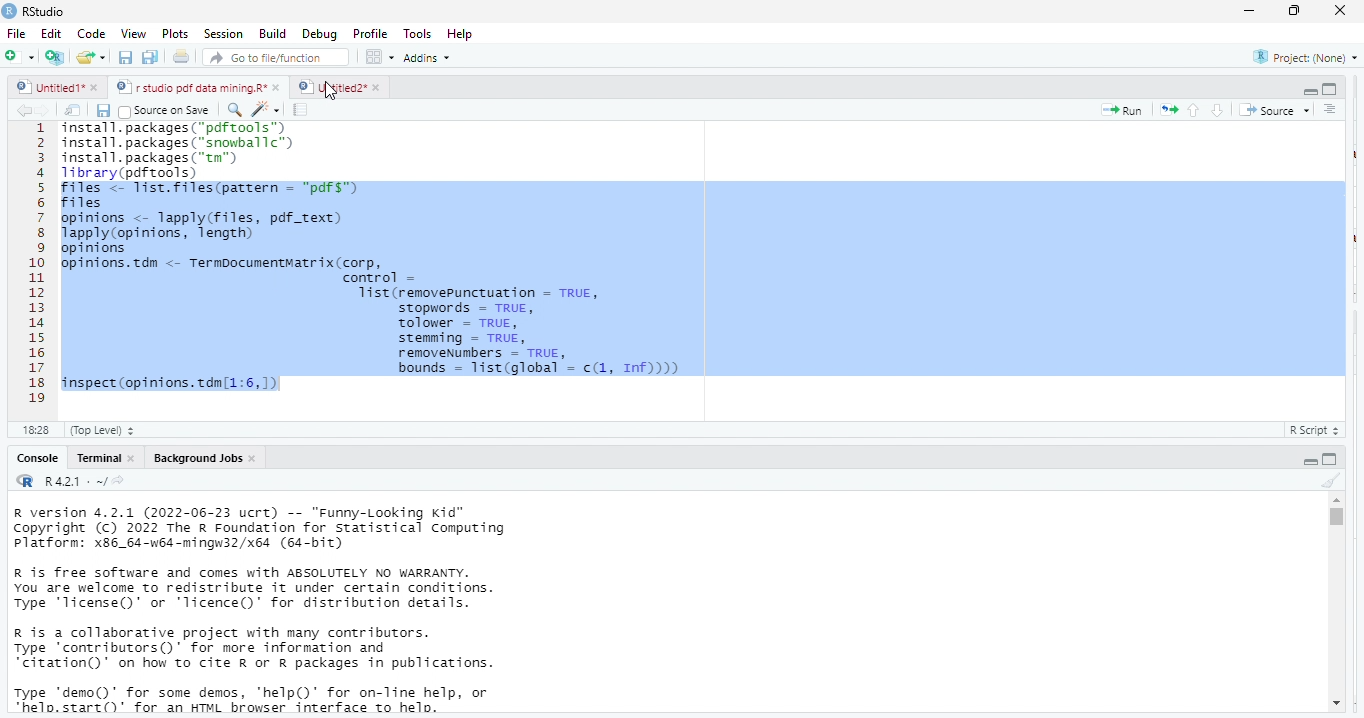  Describe the element at coordinates (1342, 11) in the screenshot. I see `close` at that location.